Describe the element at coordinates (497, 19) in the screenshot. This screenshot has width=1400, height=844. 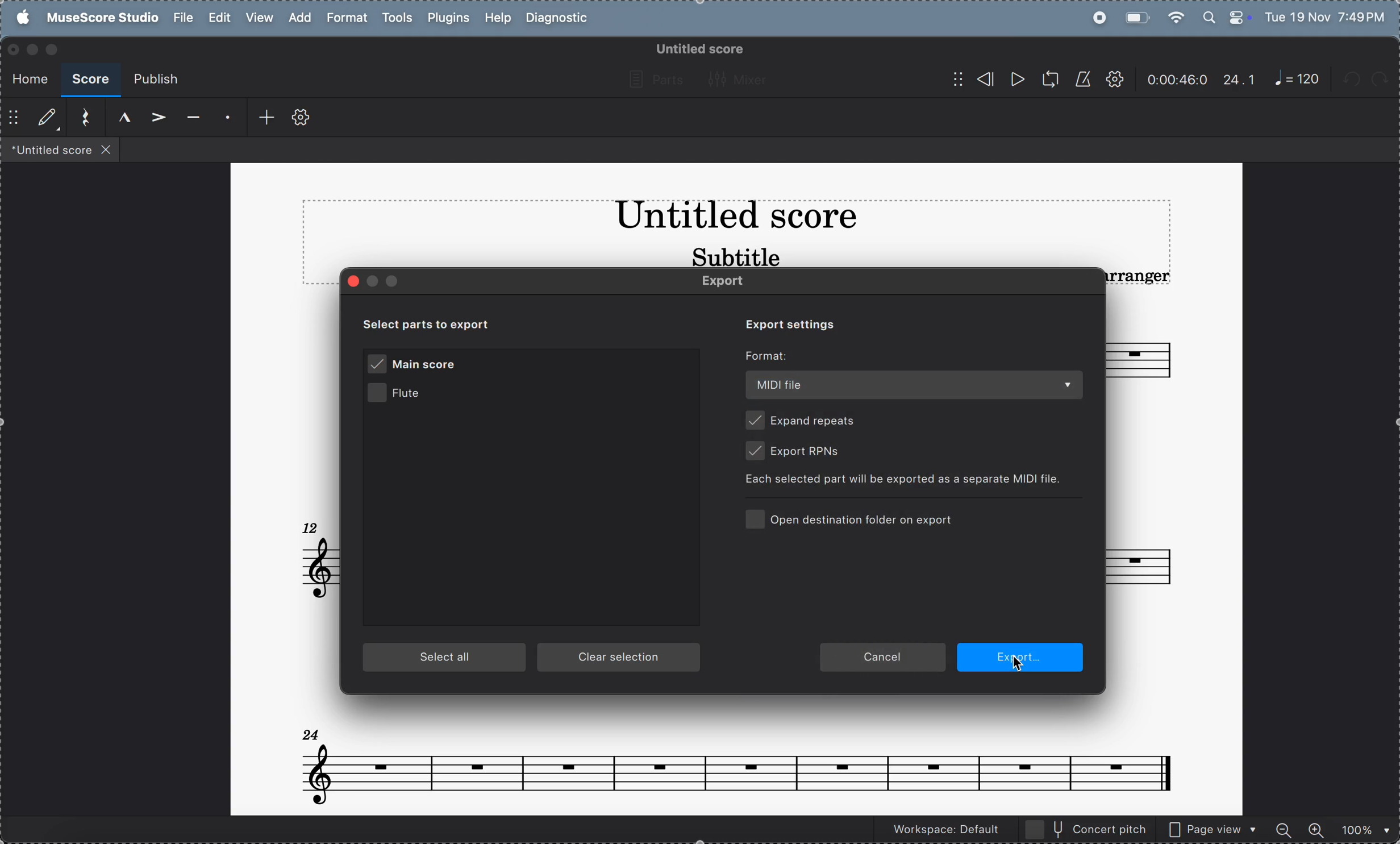
I see `help` at that location.